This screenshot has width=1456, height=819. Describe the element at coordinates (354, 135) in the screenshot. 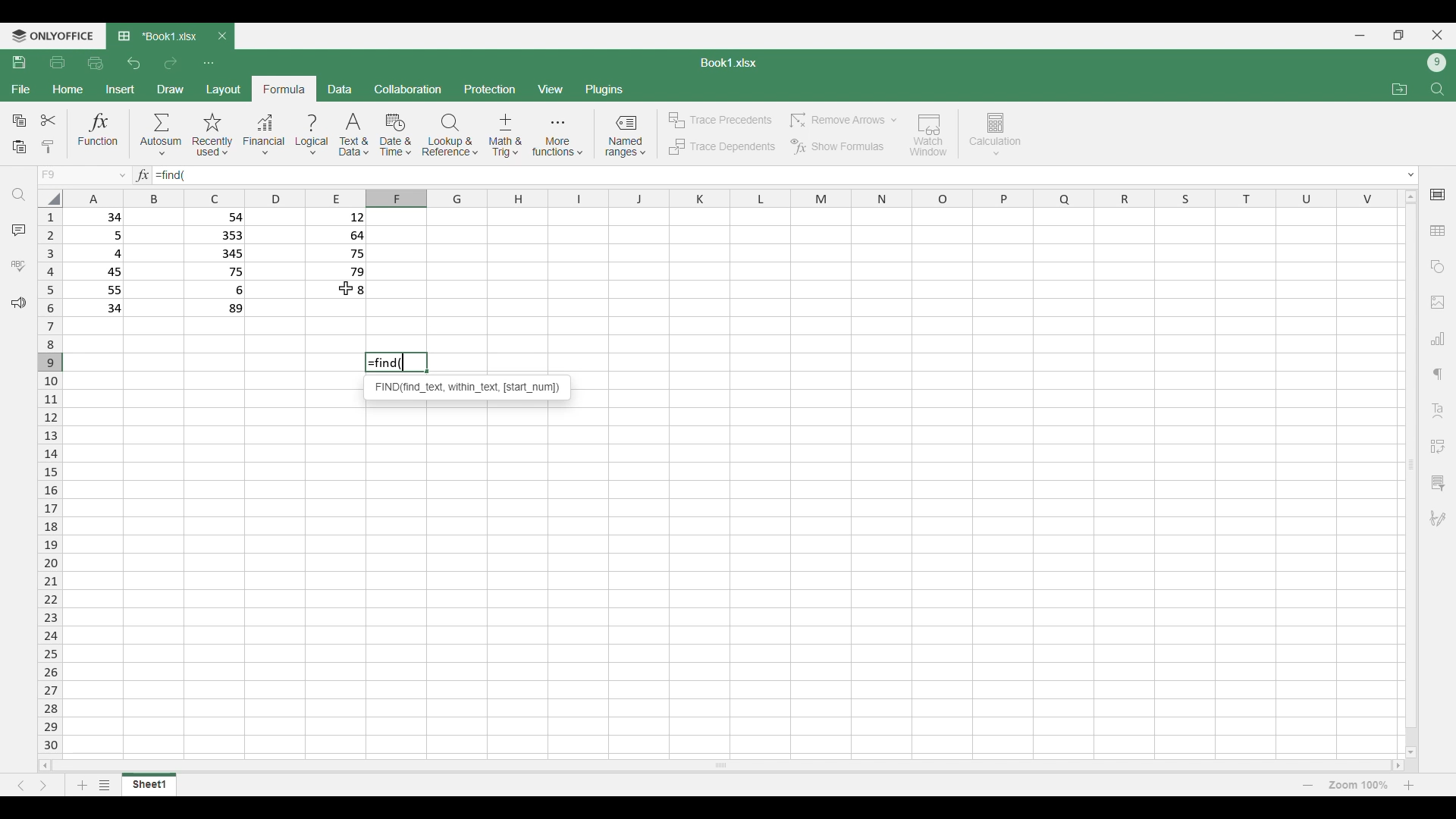

I see `Text and data` at that location.